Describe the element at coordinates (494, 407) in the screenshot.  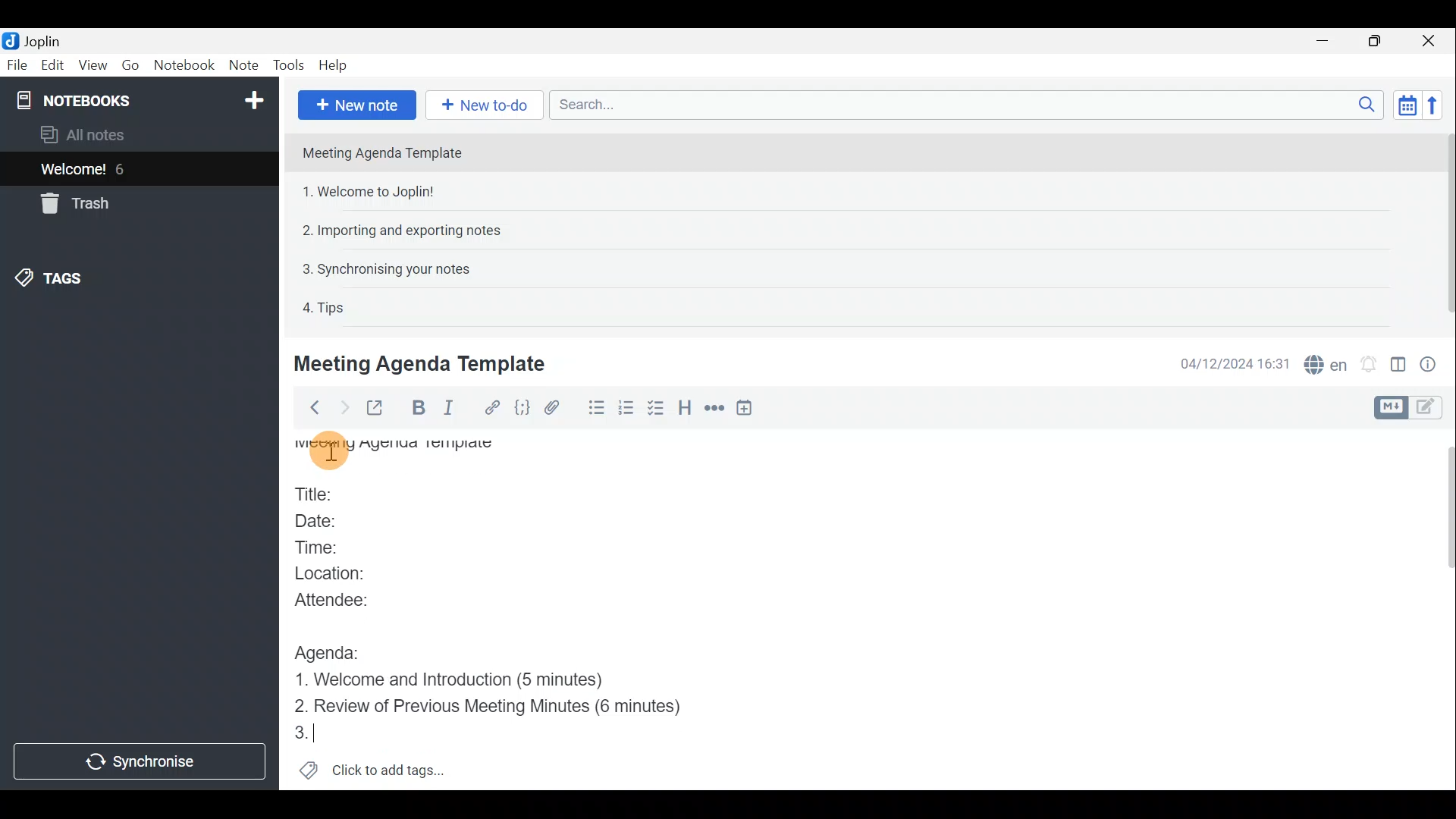
I see `Hyperlink` at that location.